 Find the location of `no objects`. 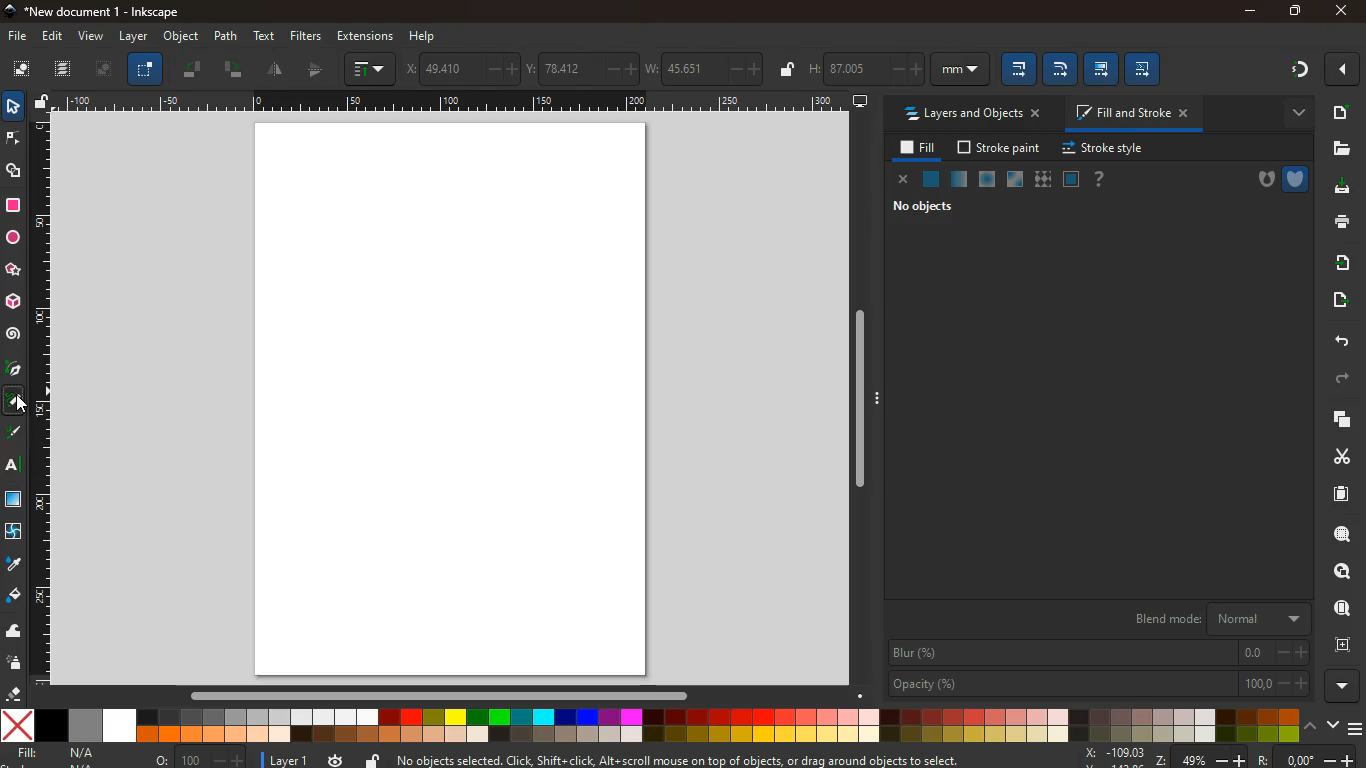

no objects is located at coordinates (927, 206).